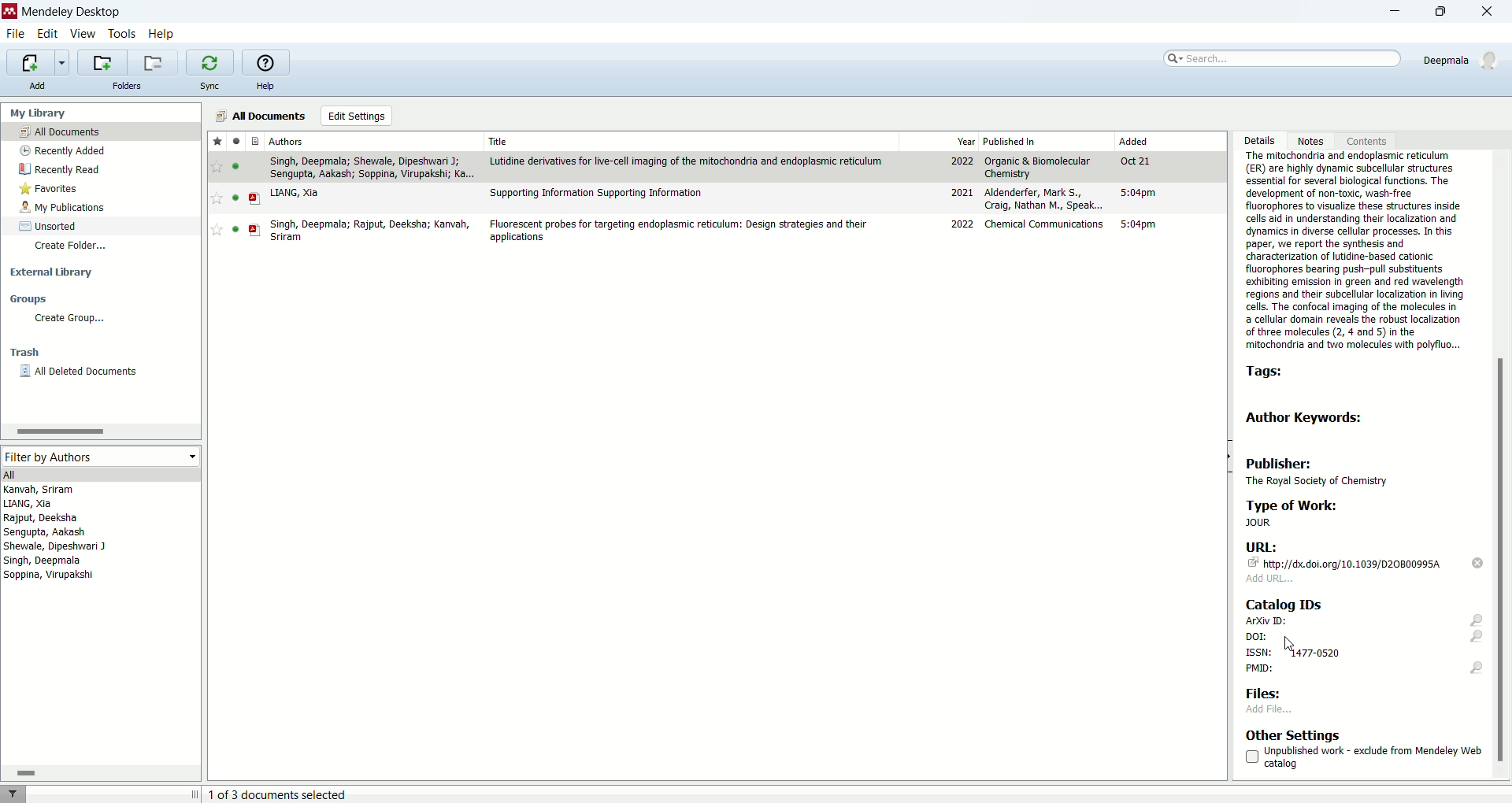  What do you see at coordinates (963, 224) in the screenshot?
I see `2022` at bounding box center [963, 224].